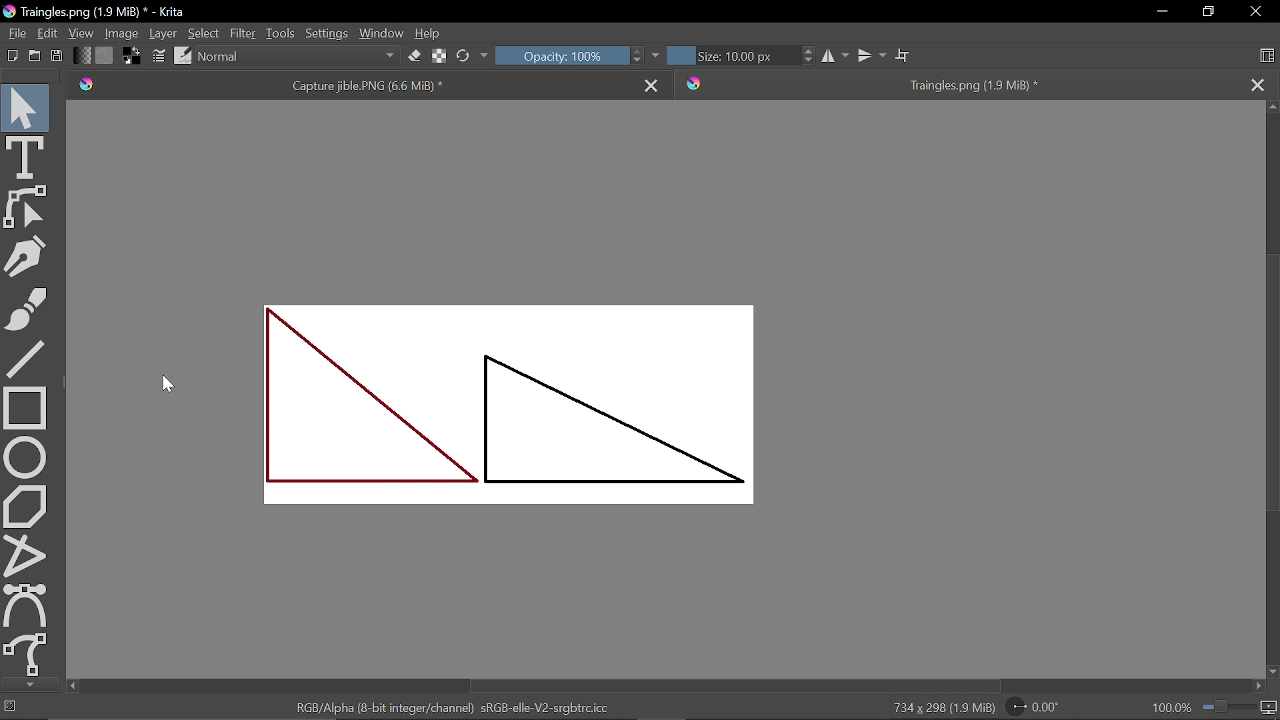  I want to click on Capture jible.PNG (6.6 MiB) *, so click(349, 84).